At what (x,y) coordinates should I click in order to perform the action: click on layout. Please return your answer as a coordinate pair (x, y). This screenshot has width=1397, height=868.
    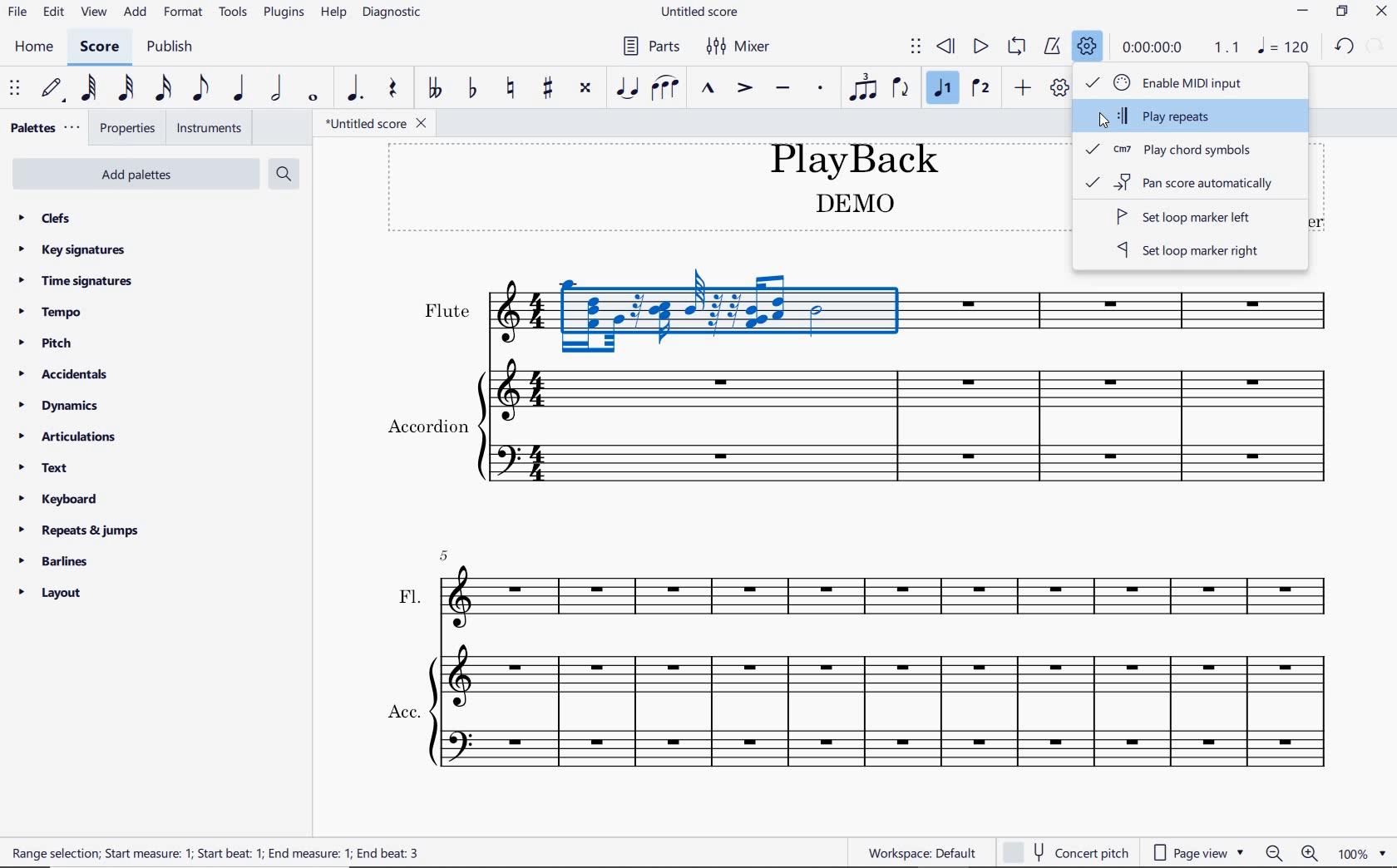
    Looking at the image, I should click on (52, 591).